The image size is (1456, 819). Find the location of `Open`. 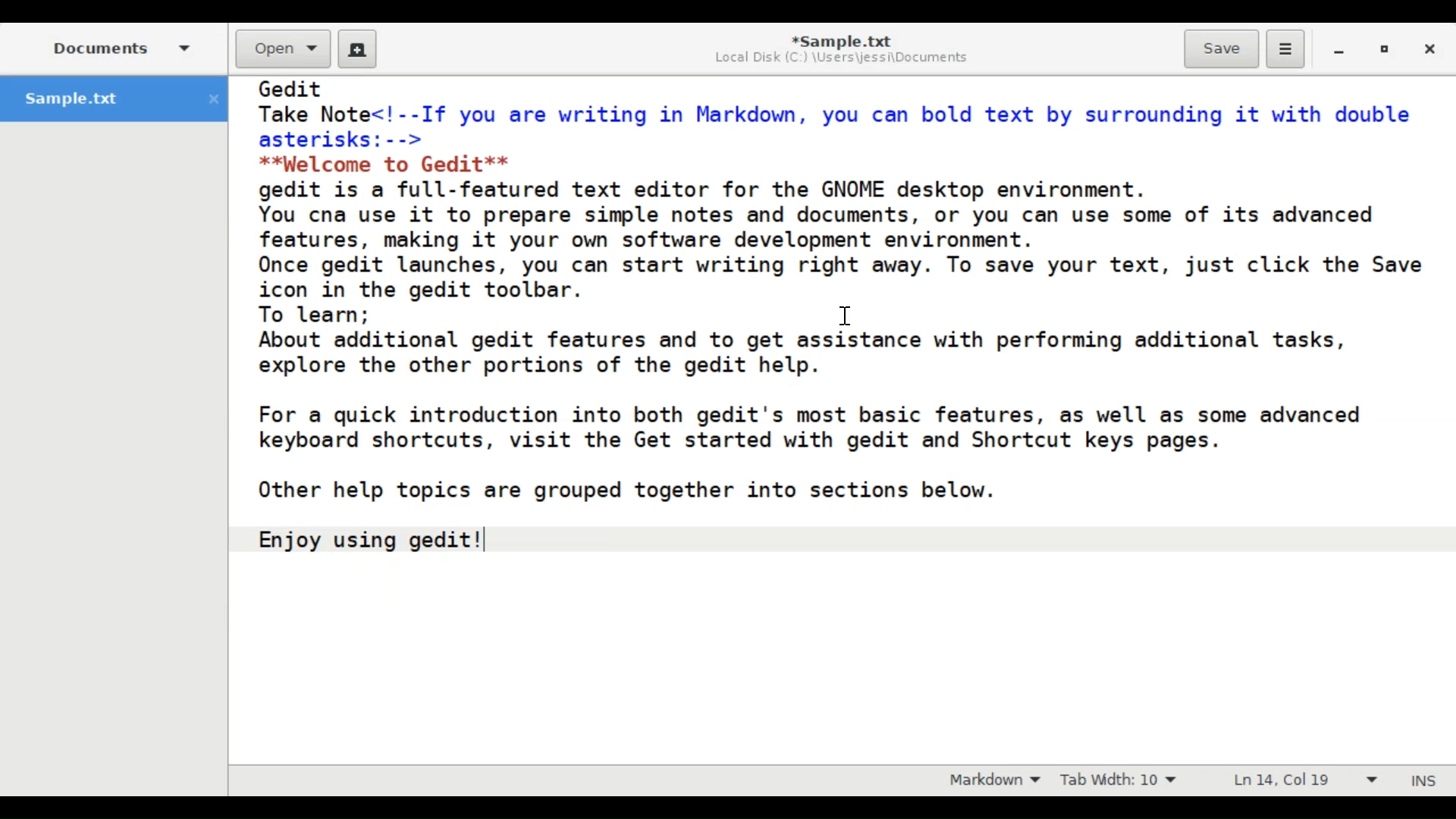

Open is located at coordinates (281, 49).